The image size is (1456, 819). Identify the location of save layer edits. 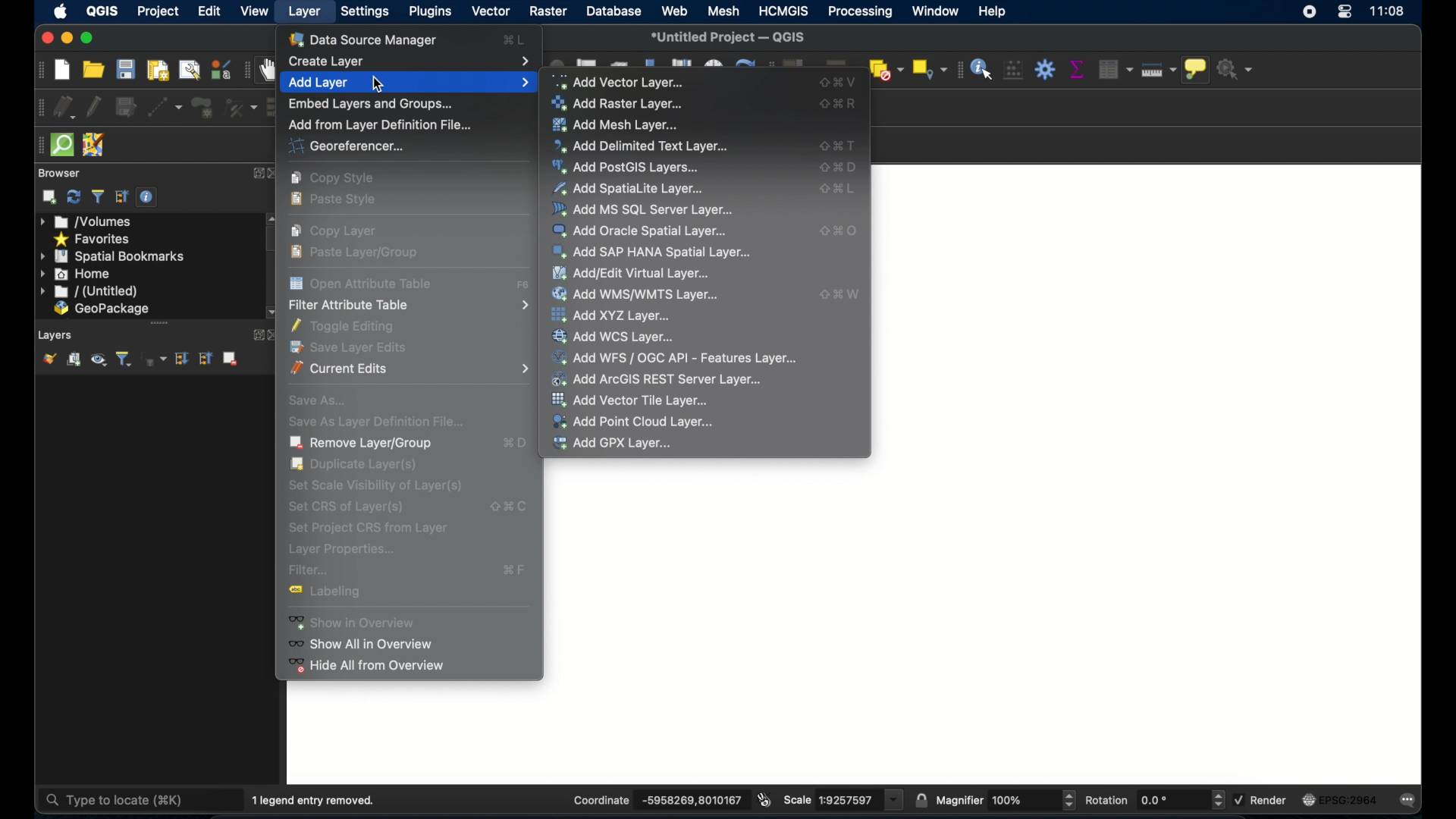
(354, 347).